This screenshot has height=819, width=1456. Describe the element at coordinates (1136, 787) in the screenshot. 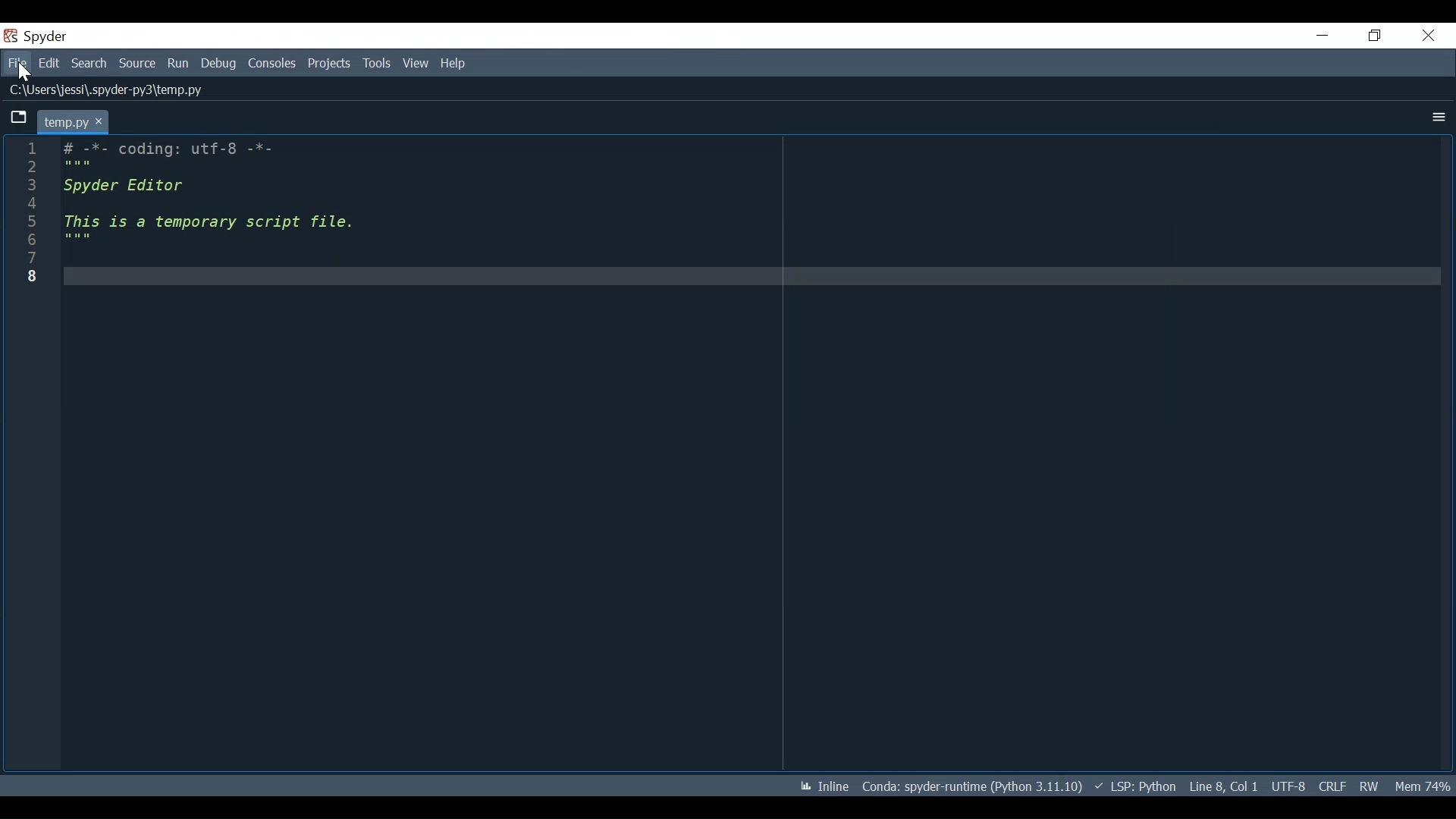

I see `LSP: Python` at that location.